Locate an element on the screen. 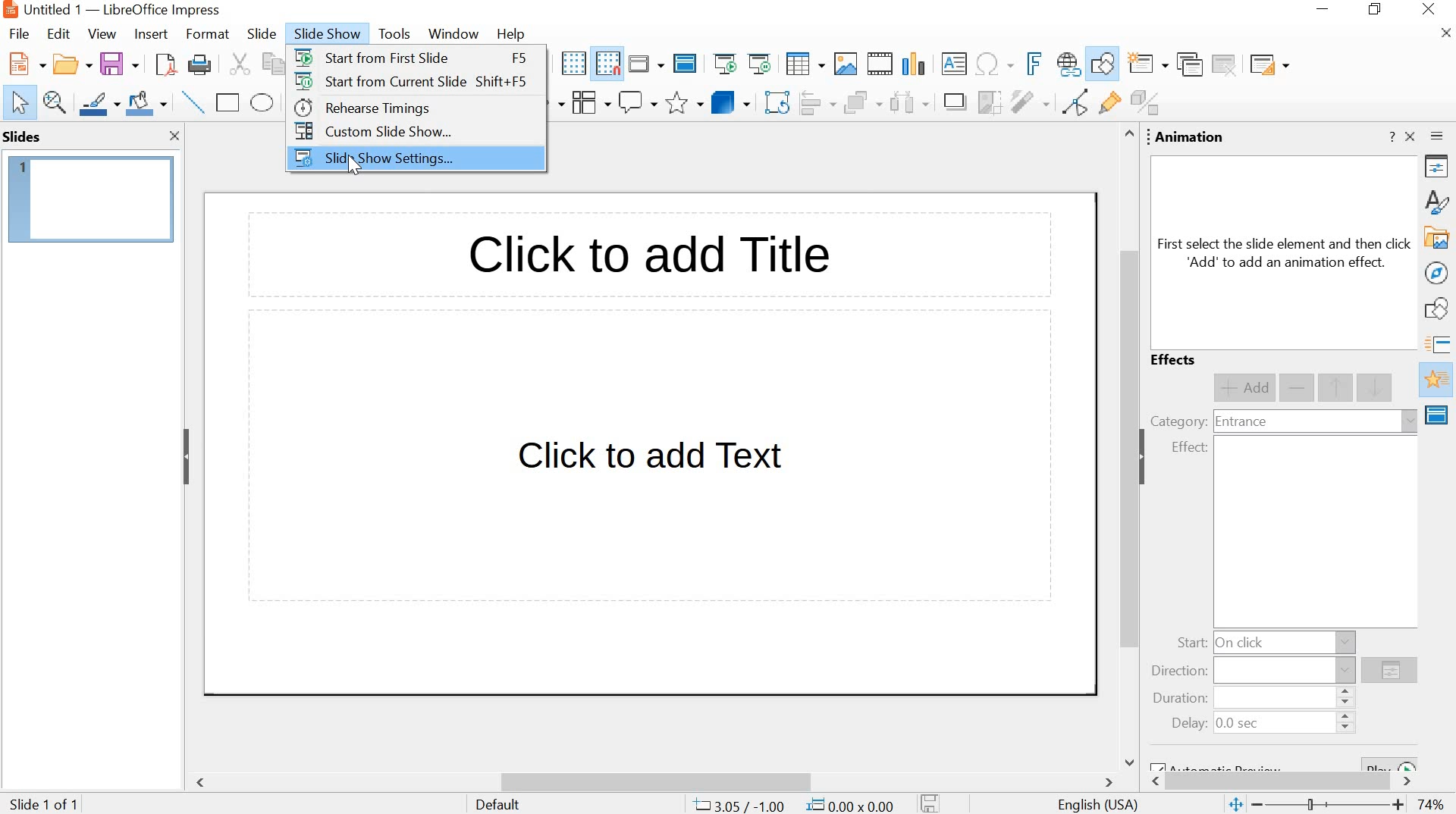  on click is located at coordinates (1243, 642).